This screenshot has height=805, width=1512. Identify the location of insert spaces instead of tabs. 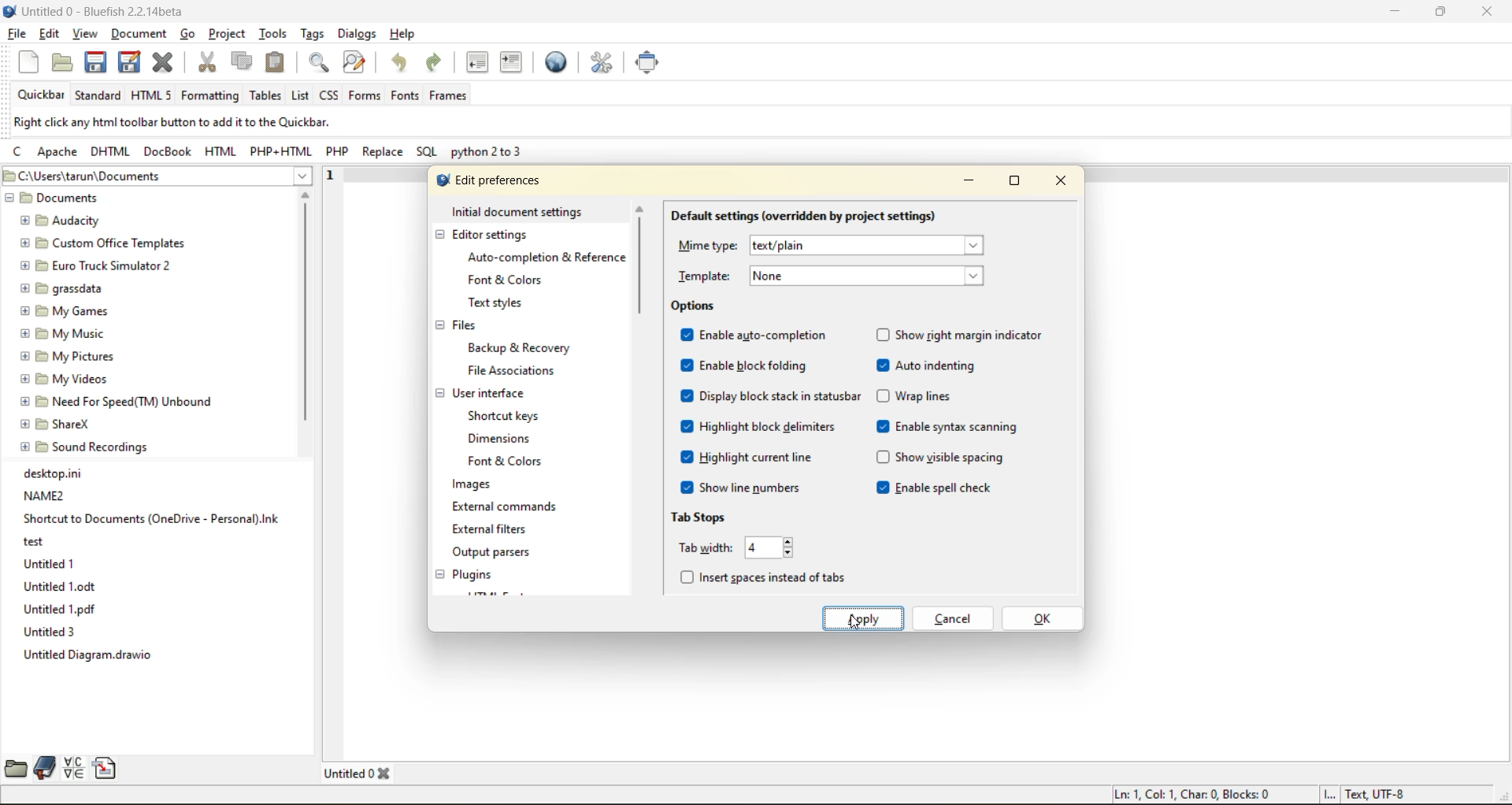
(766, 573).